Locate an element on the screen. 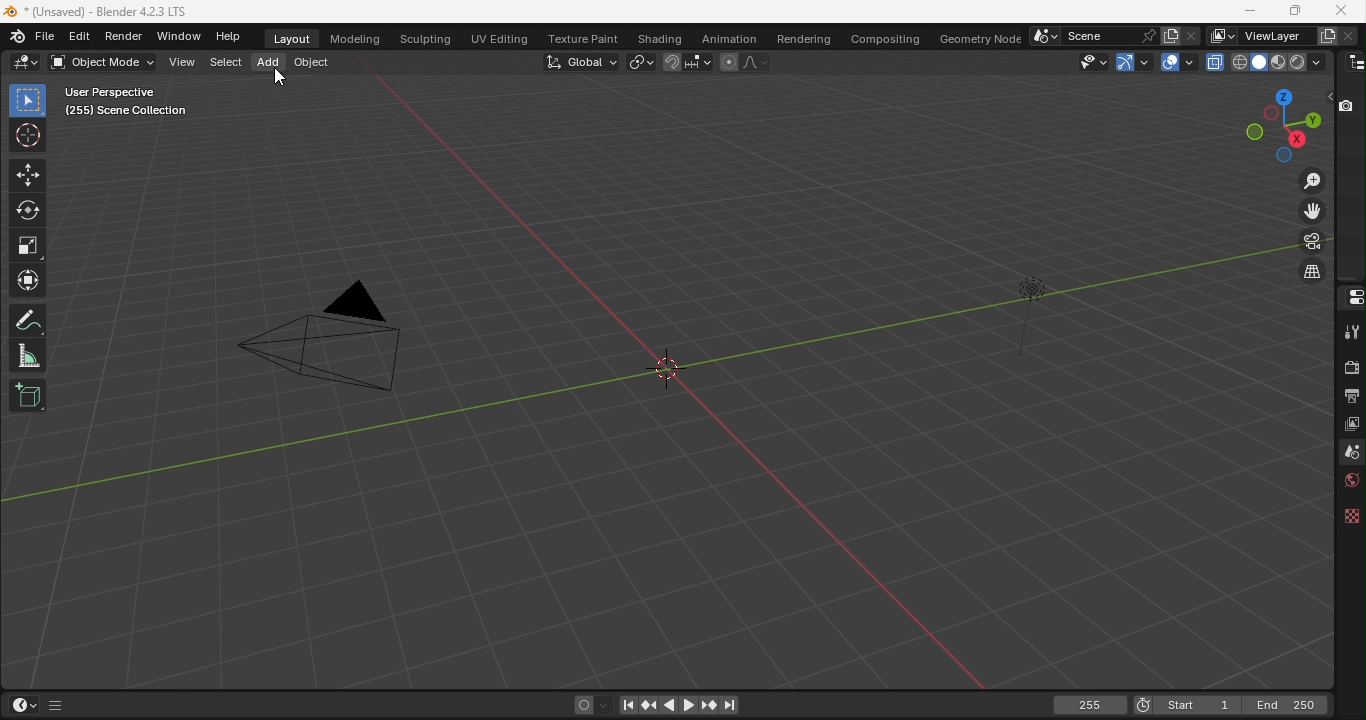 The image size is (1366, 720). Jump to next/previous keyframe is located at coordinates (649, 705).